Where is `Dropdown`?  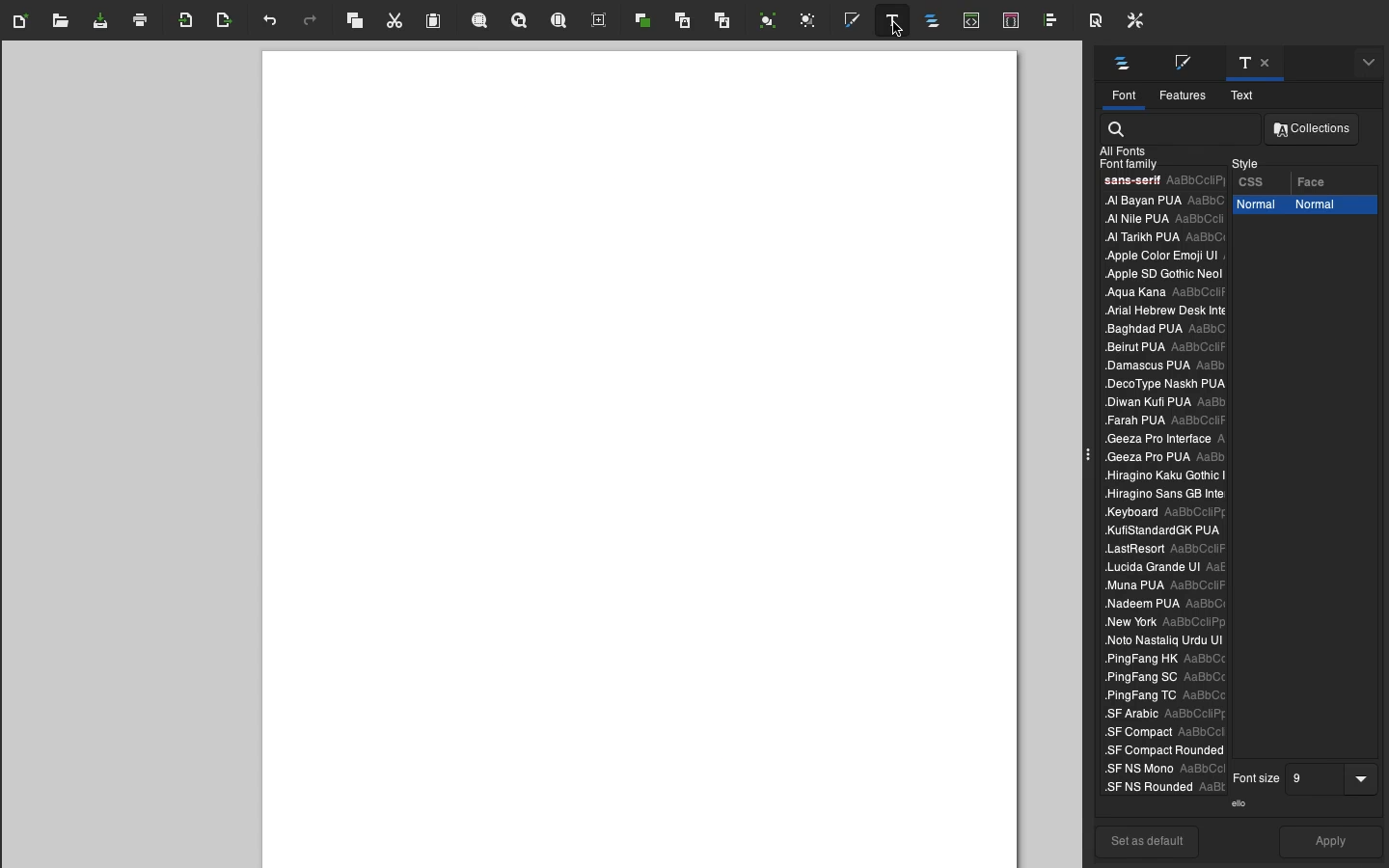 Dropdown is located at coordinates (1365, 774).